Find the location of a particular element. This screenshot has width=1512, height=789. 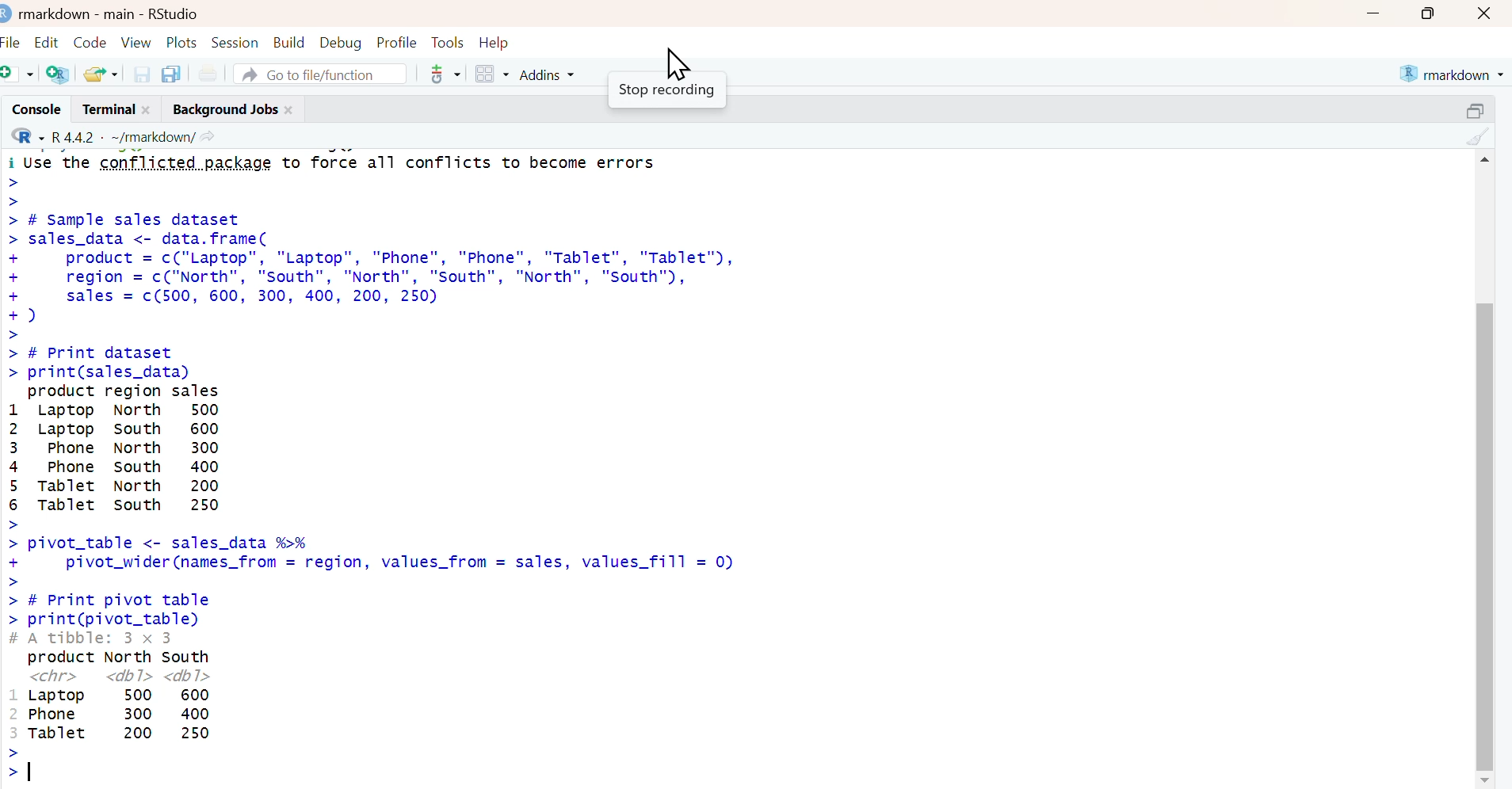

open recent files is located at coordinates (101, 72).